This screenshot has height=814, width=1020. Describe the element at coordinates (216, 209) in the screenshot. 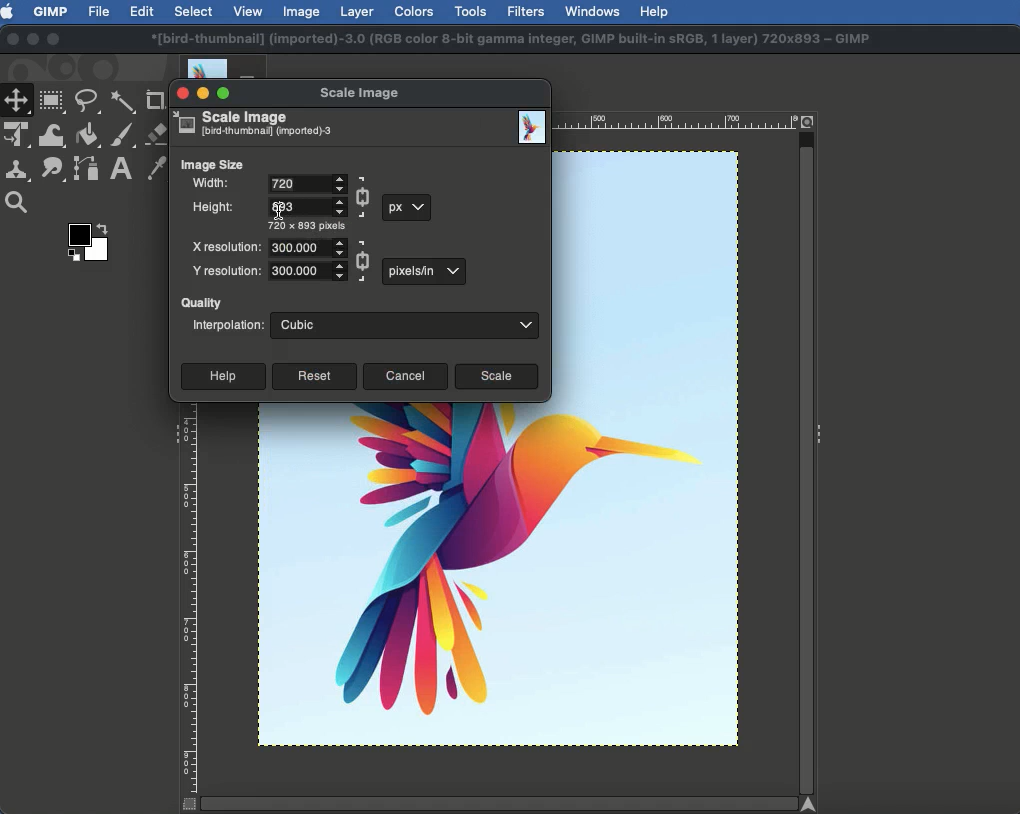

I see `Height` at that location.